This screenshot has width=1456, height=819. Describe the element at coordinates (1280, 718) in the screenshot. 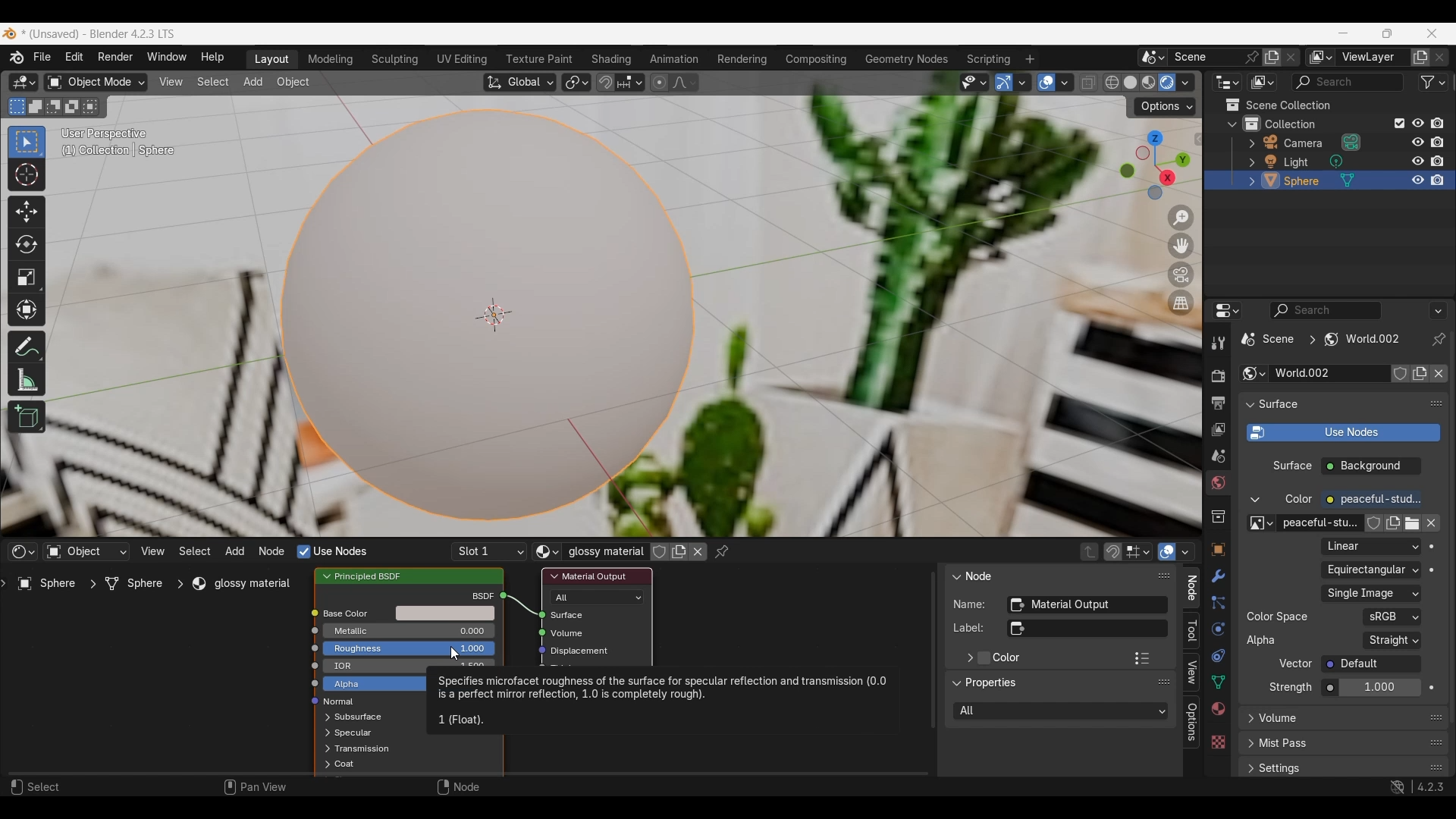

I see `Volume ` at that location.